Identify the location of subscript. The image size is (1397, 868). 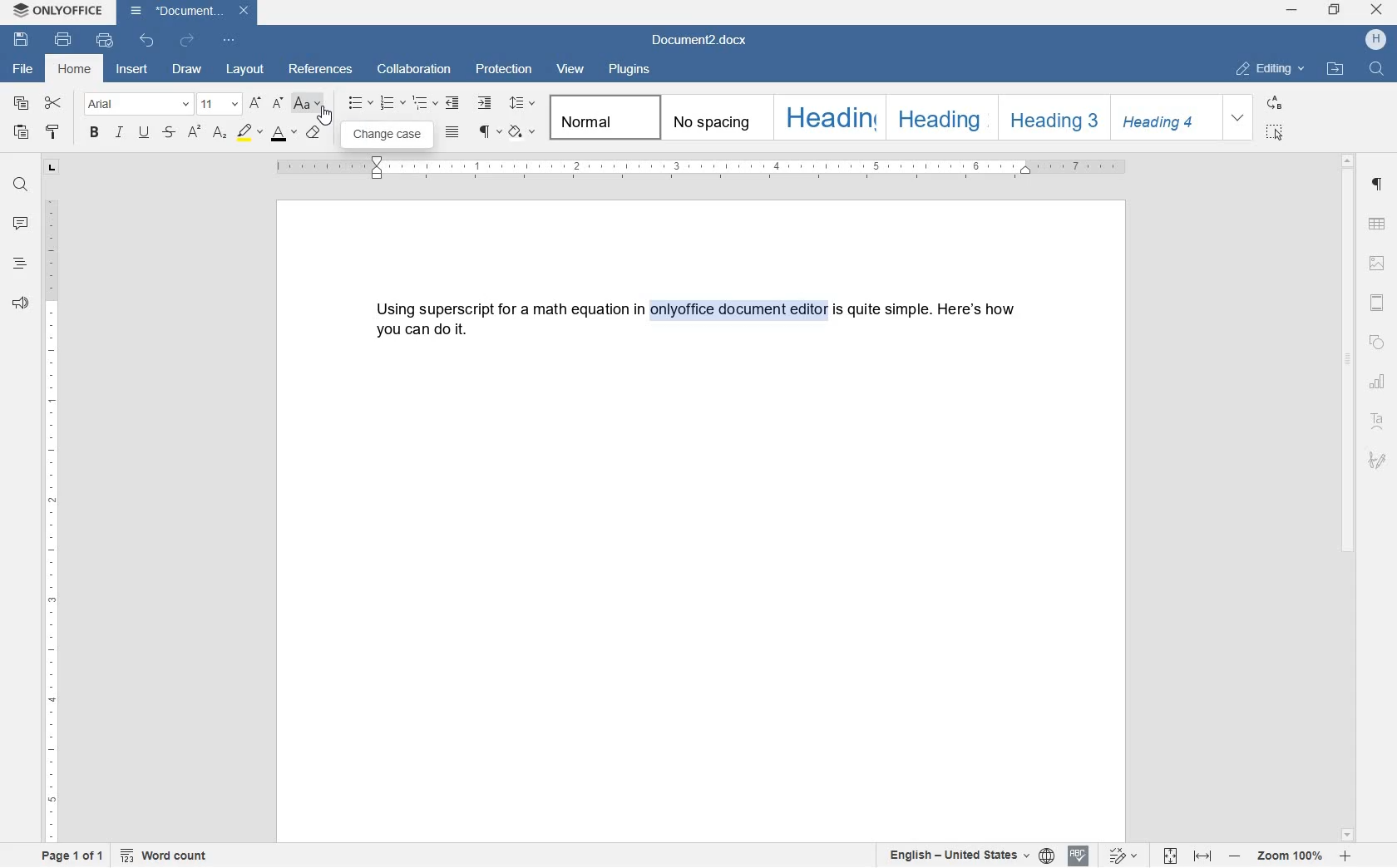
(219, 134).